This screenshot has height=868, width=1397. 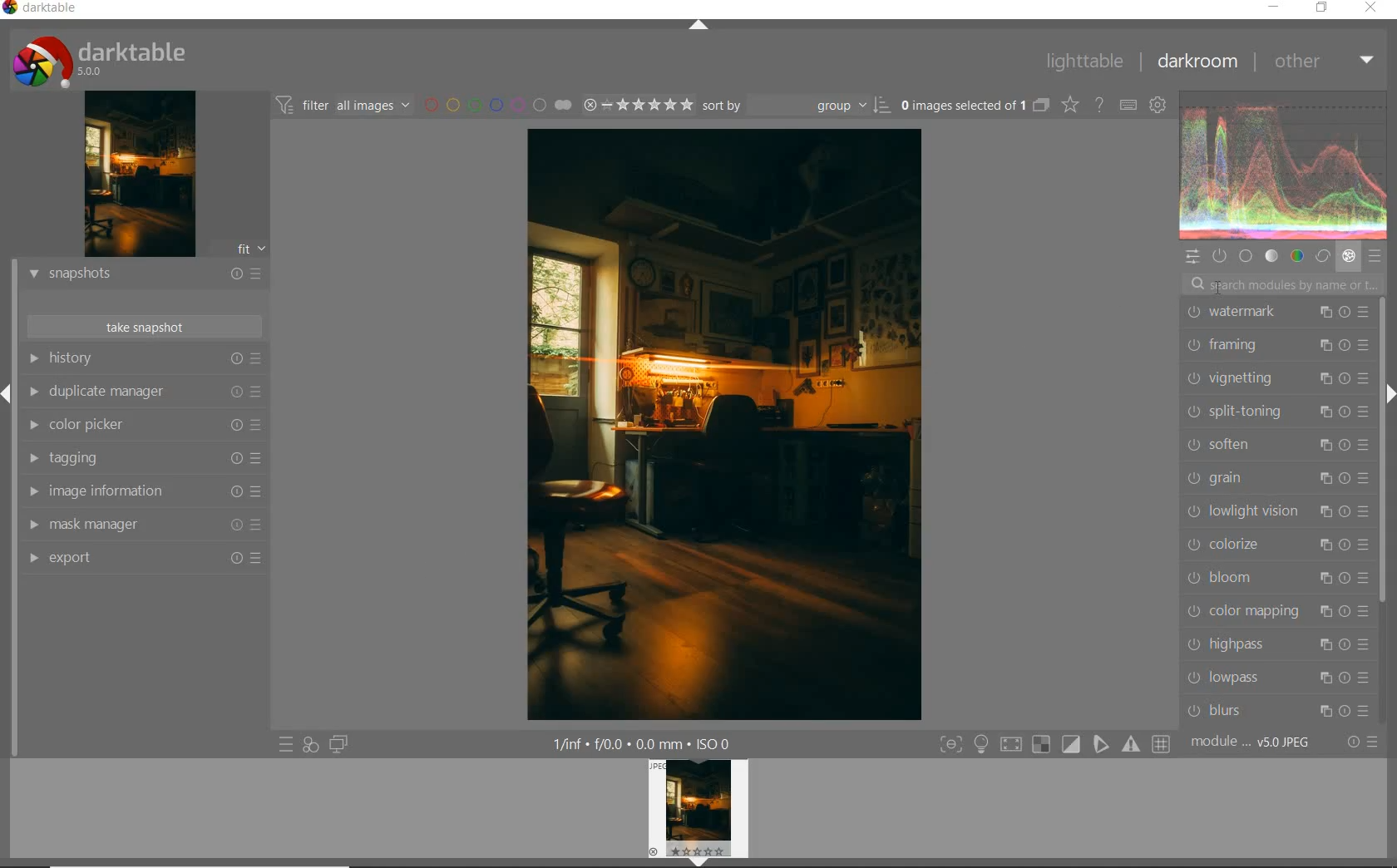 What do you see at coordinates (498, 106) in the screenshot?
I see `filter by image color` at bounding box center [498, 106].